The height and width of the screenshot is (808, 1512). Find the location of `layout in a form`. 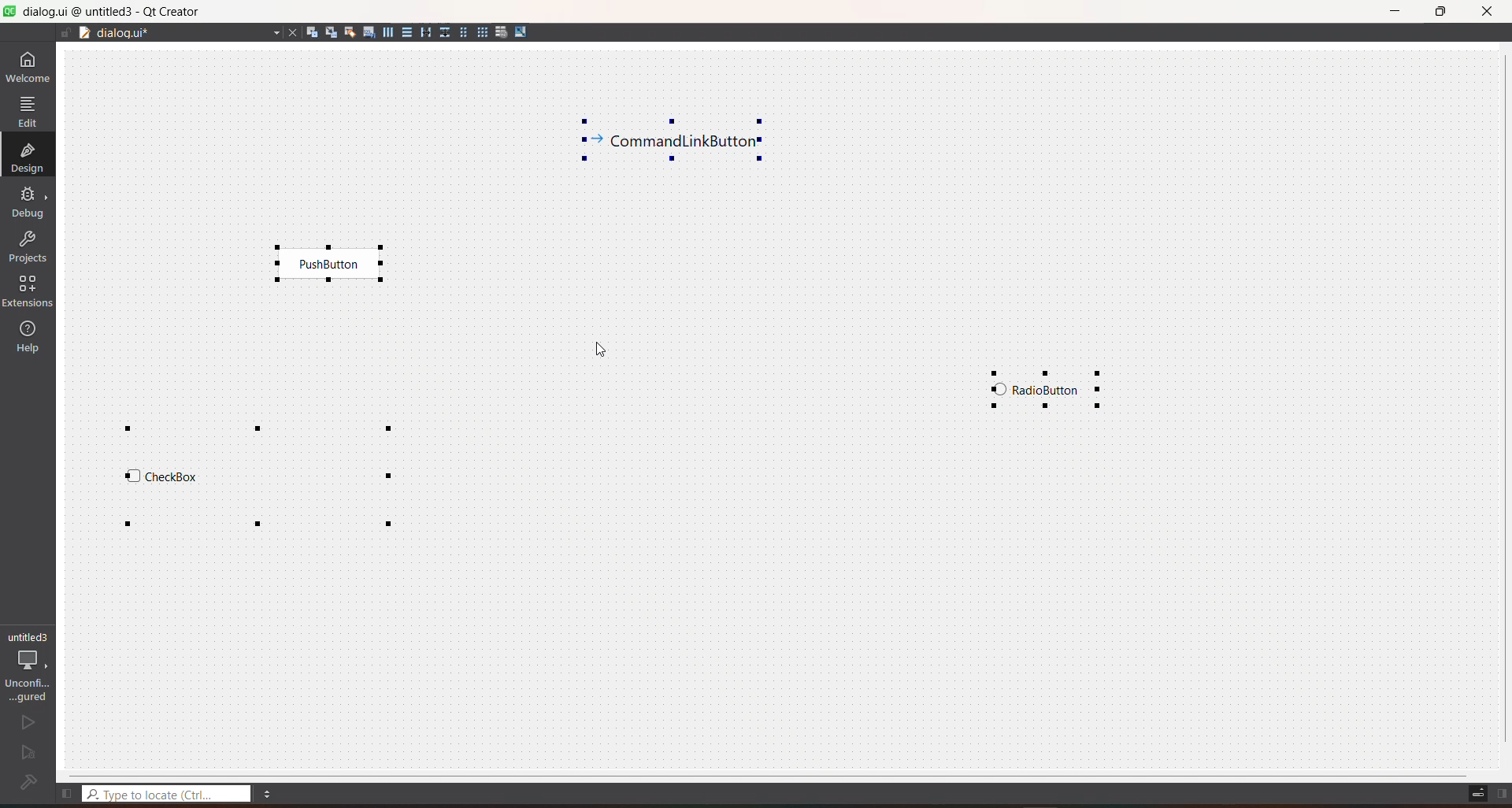

layout in a form is located at coordinates (463, 33).